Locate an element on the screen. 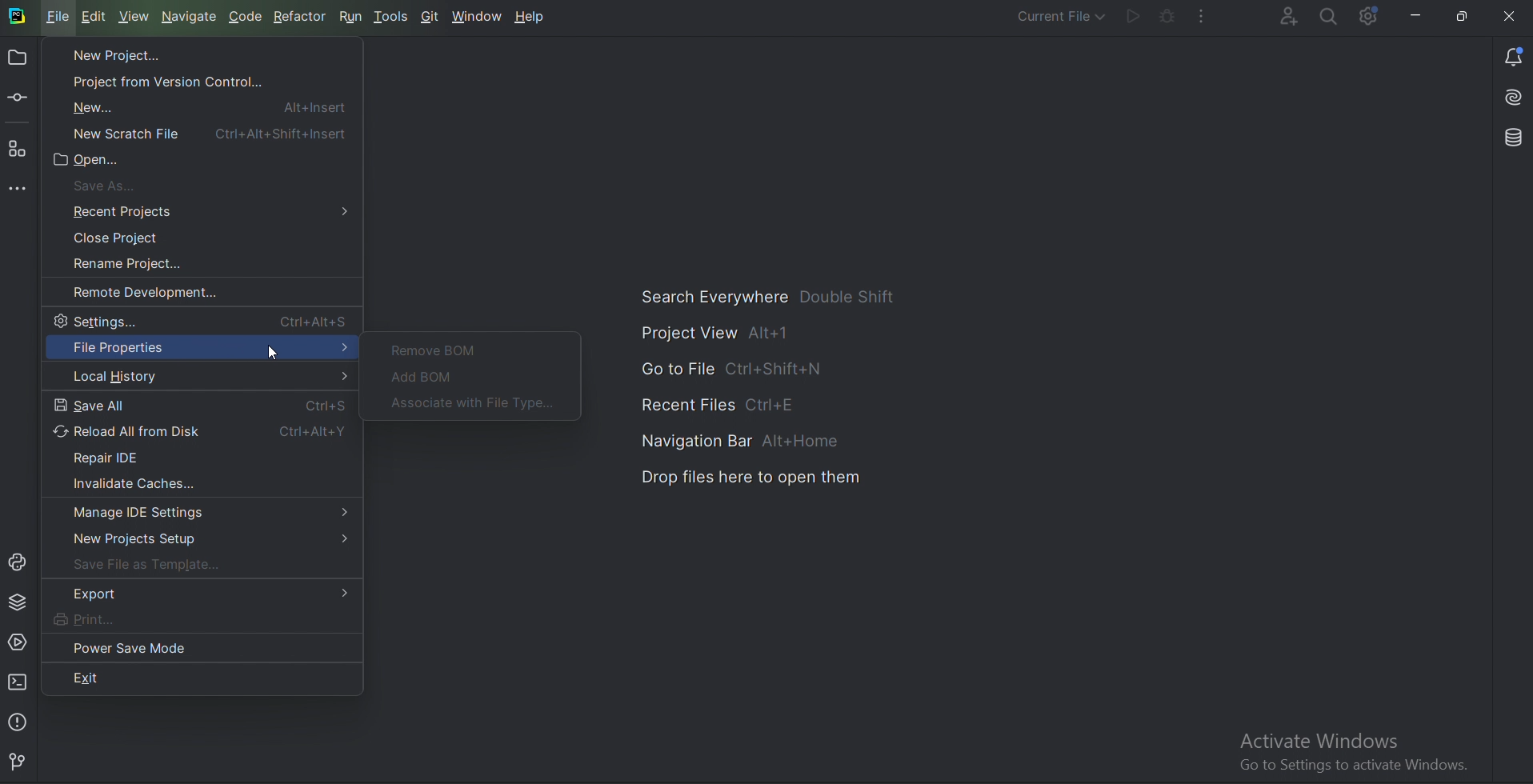  Manage IDE settings is located at coordinates (207, 512).